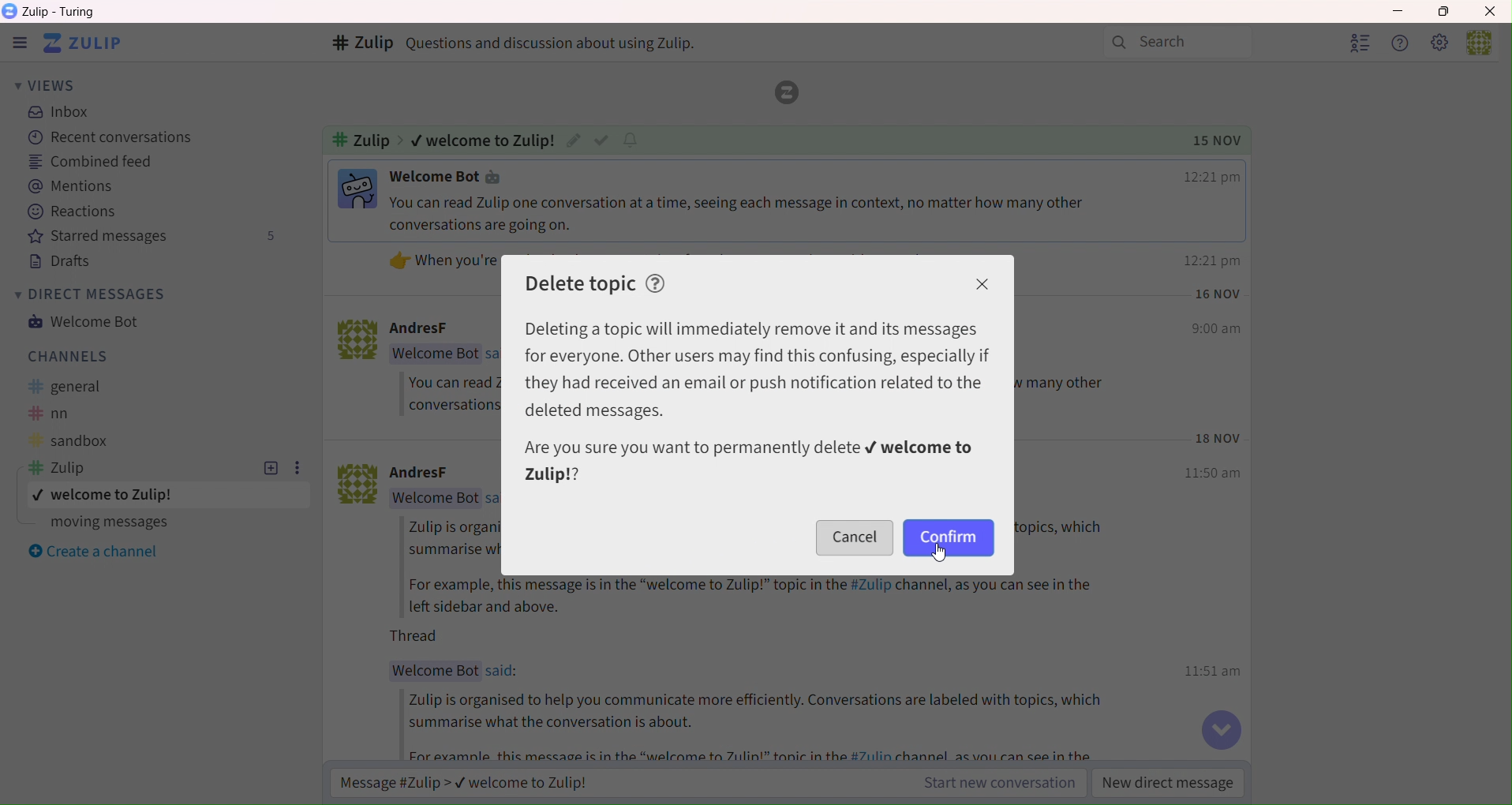 The height and width of the screenshot is (805, 1512). Describe the element at coordinates (443, 177) in the screenshot. I see `Text` at that location.